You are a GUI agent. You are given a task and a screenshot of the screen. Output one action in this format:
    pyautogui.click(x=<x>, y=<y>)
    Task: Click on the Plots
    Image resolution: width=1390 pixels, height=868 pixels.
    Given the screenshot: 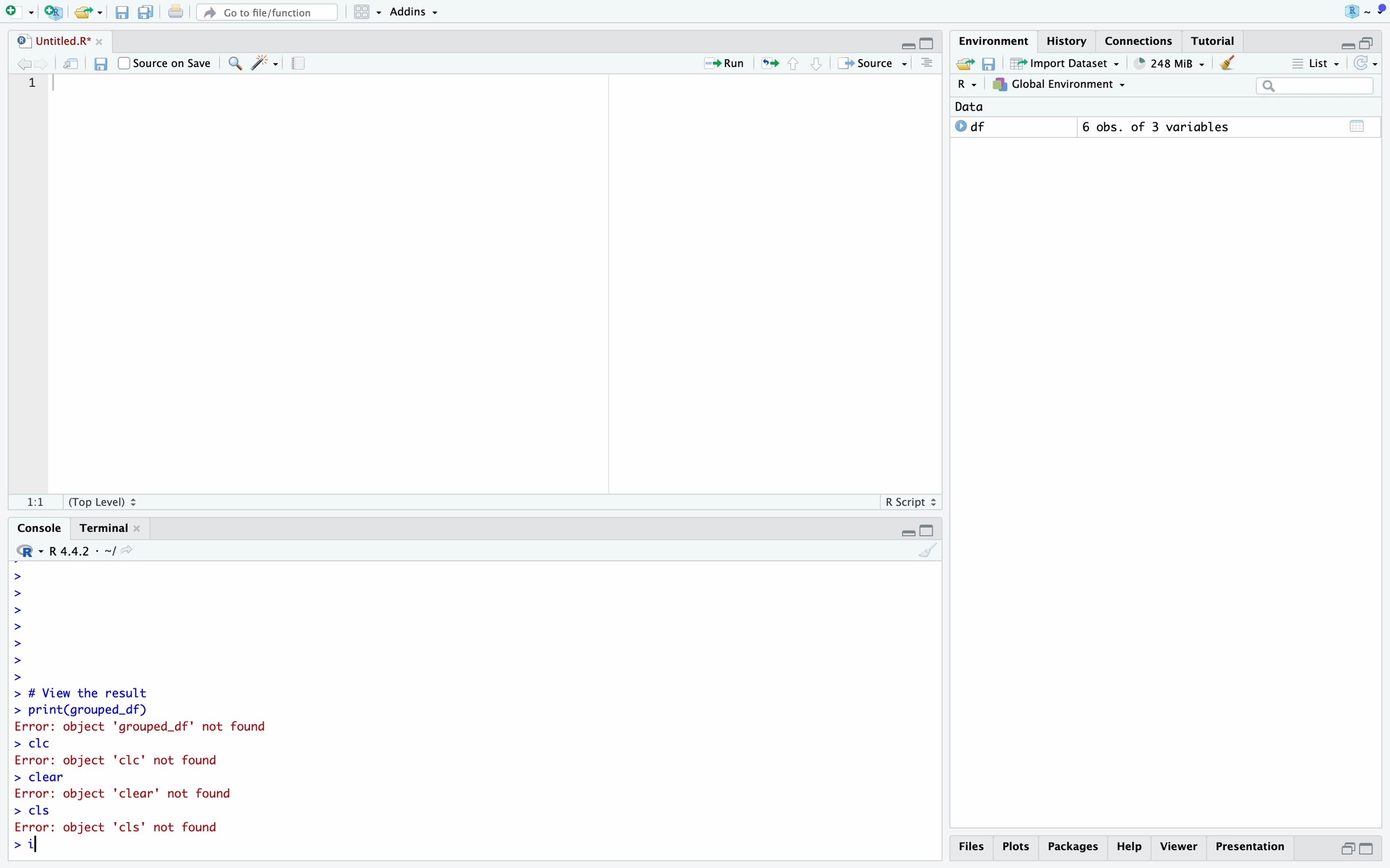 What is the action you would take?
    pyautogui.click(x=1018, y=847)
    